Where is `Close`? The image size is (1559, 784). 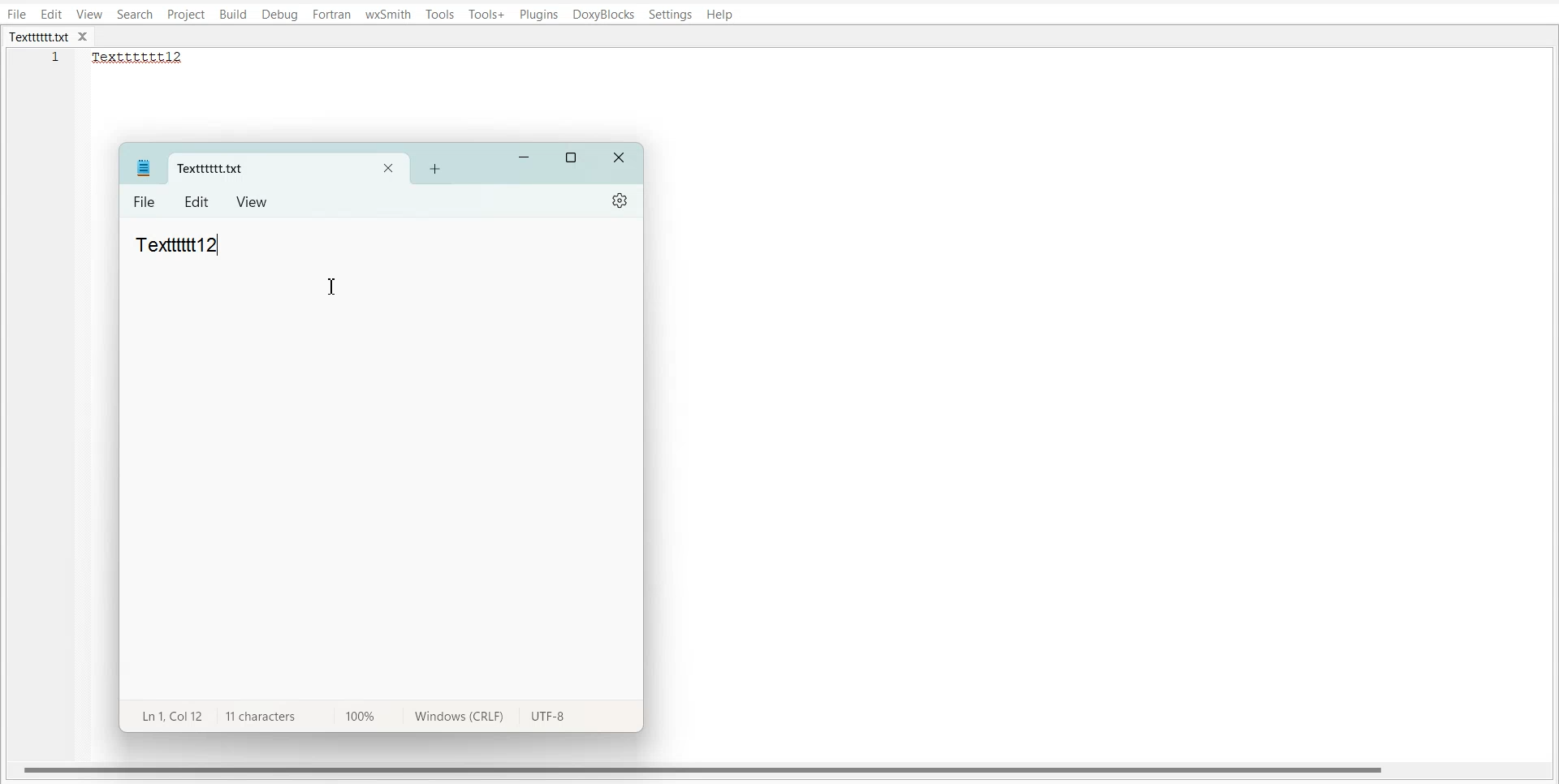
Close is located at coordinates (620, 159).